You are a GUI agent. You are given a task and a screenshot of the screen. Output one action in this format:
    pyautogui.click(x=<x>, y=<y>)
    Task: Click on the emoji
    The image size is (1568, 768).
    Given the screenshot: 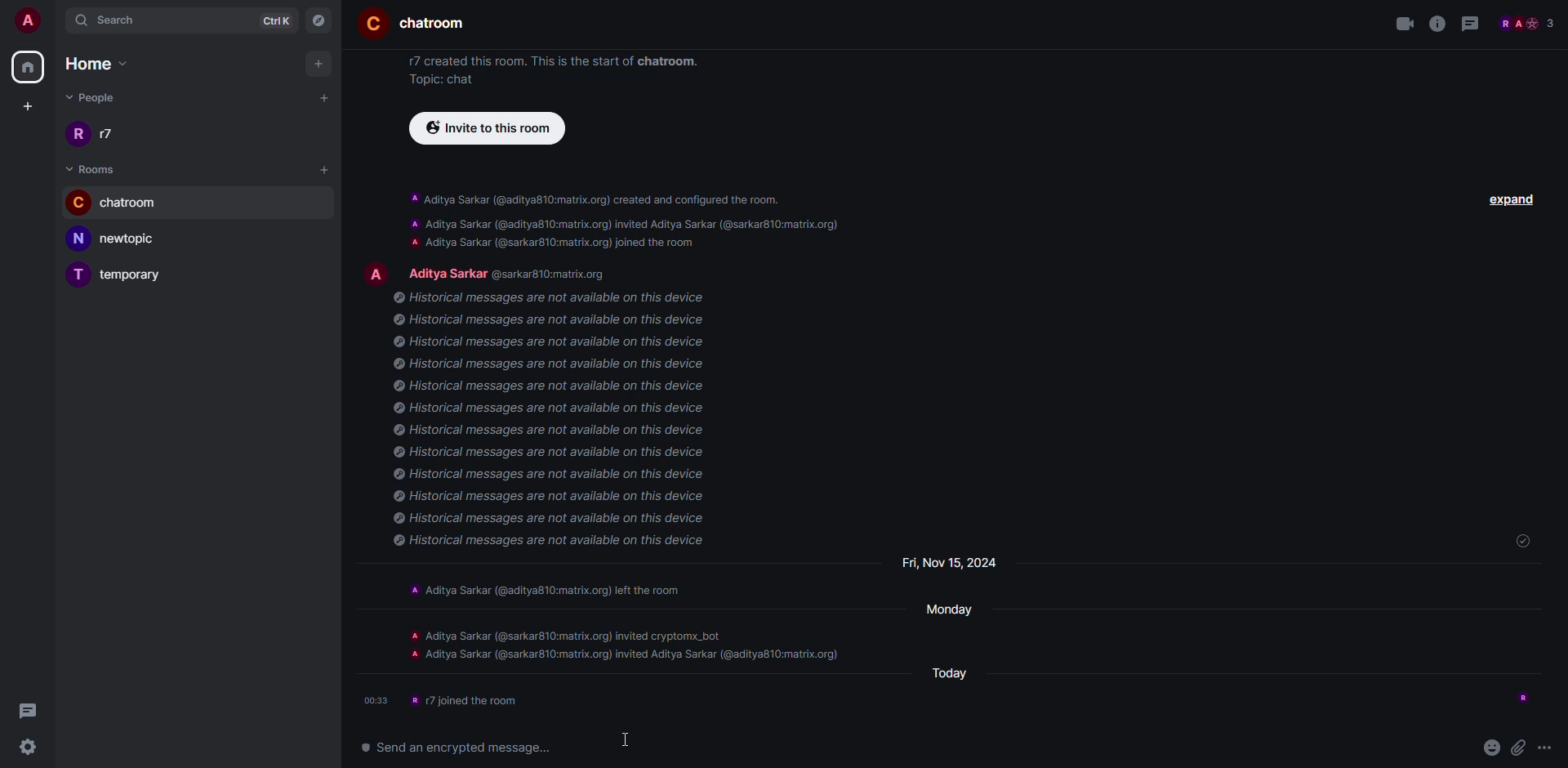 What is the action you would take?
    pyautogui.click(x=1492, y=746)
    